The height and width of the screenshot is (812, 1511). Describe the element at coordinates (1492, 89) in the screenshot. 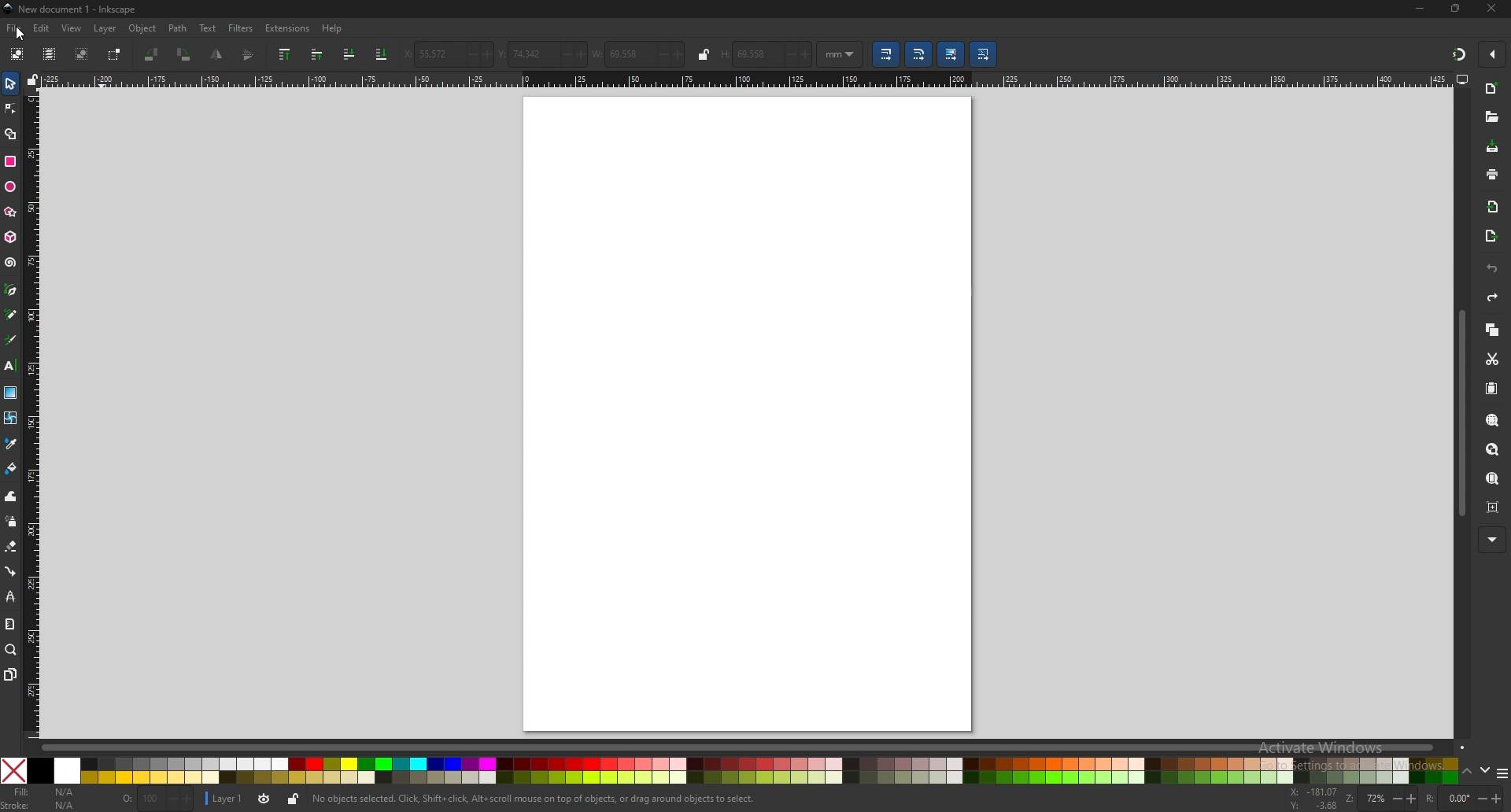

I see `new` at that location.